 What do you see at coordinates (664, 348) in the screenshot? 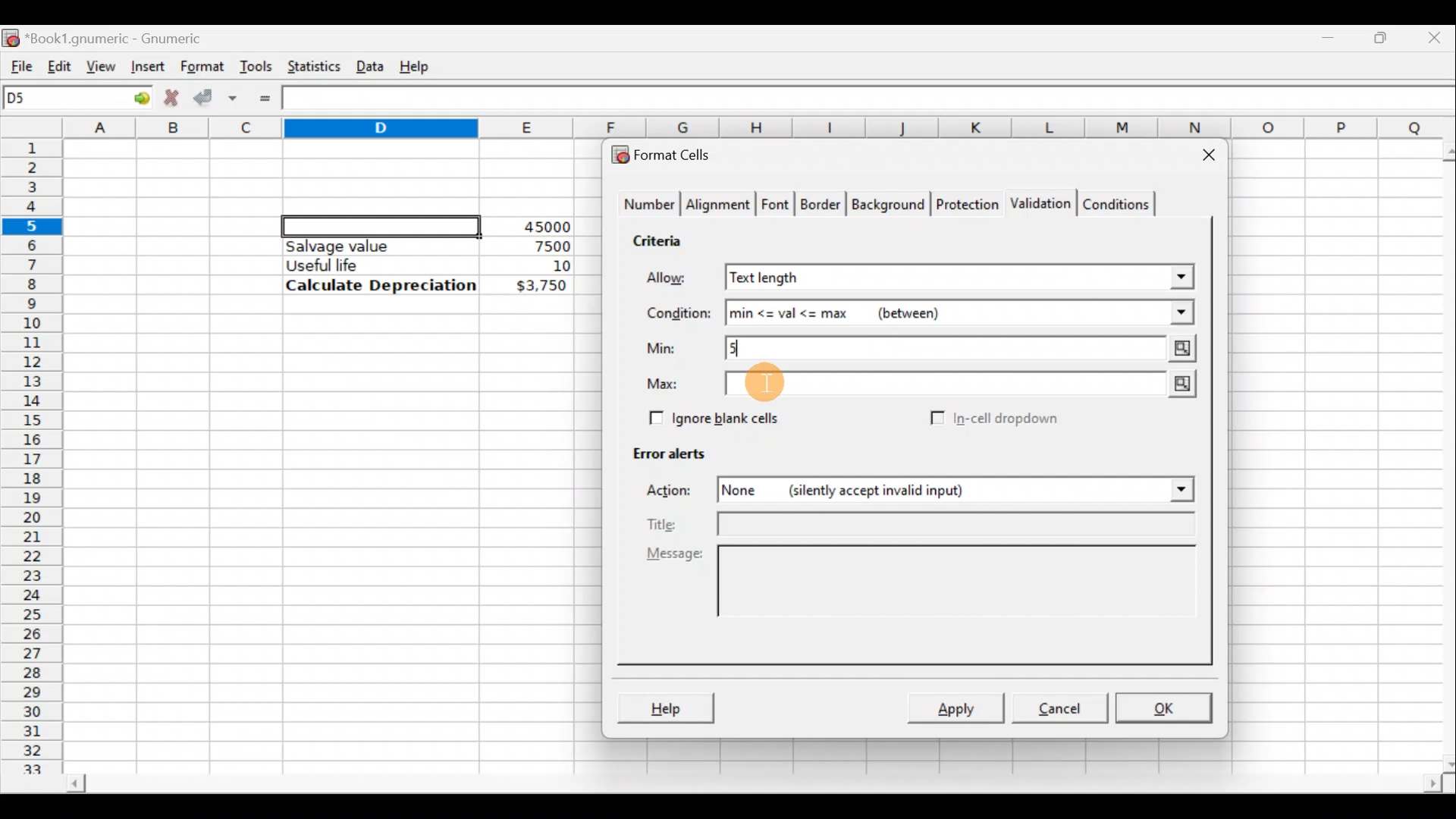
I see `Min` at bounding box center [664, 348].